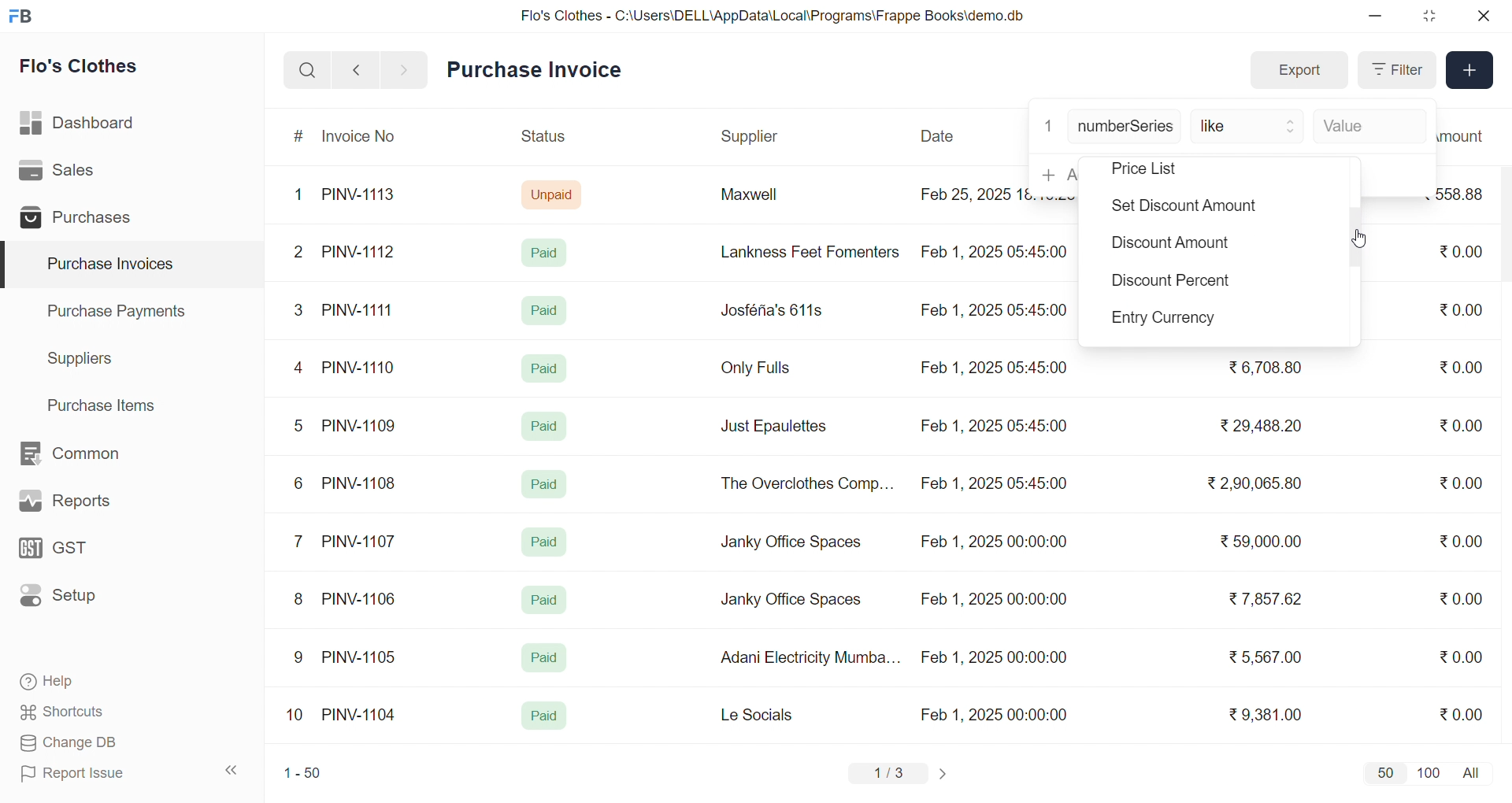  I want to click on PINV-1106, so click(365, 599).